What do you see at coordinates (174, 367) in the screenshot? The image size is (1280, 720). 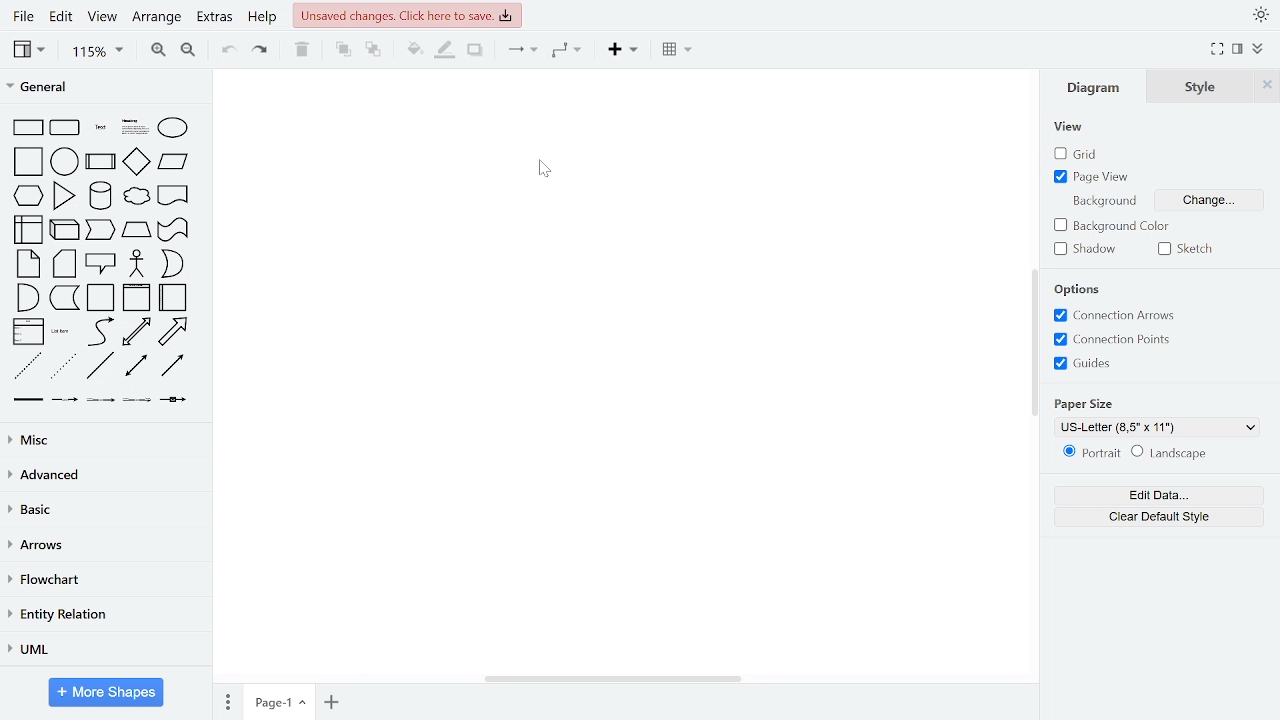 I see `directional connector` at bounding box center [174, 367].